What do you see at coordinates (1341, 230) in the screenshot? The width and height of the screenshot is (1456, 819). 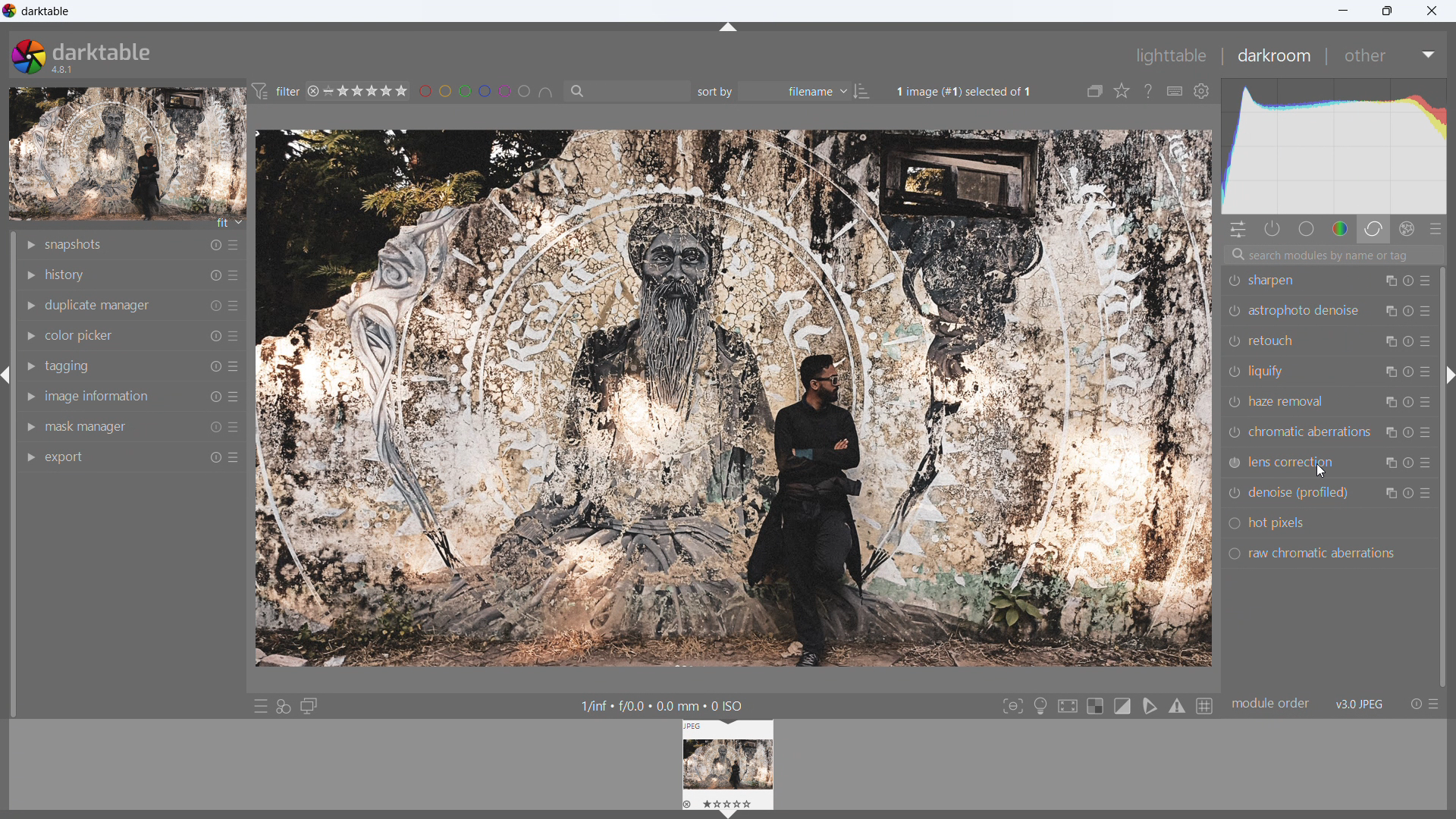 I see `color` at bounding box center [1341, 230].